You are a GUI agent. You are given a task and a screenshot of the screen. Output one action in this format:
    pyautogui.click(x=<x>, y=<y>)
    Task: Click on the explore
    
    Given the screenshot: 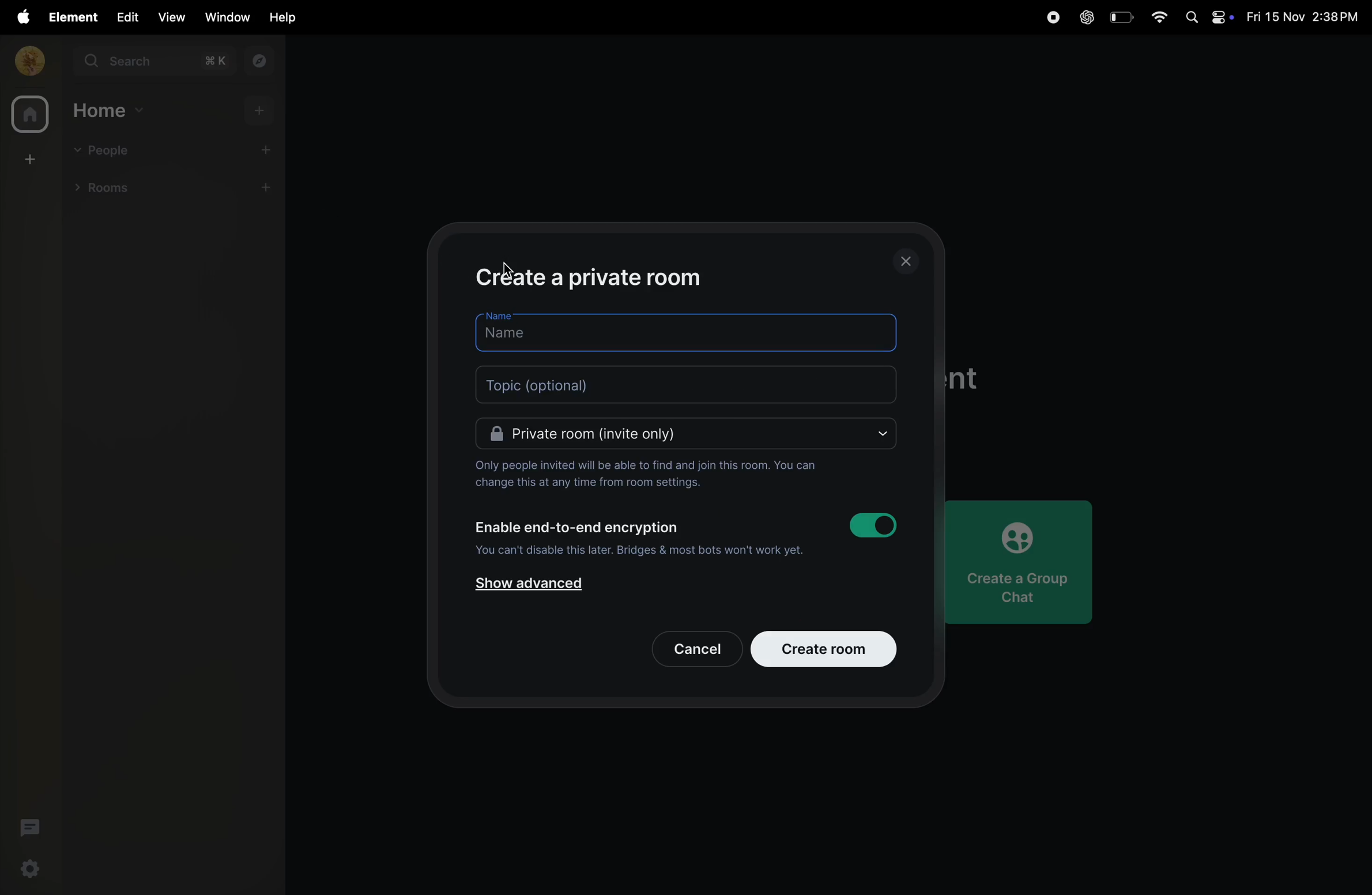 What is the action you would take?
    pyautogui.click(x=257, y=61)
    